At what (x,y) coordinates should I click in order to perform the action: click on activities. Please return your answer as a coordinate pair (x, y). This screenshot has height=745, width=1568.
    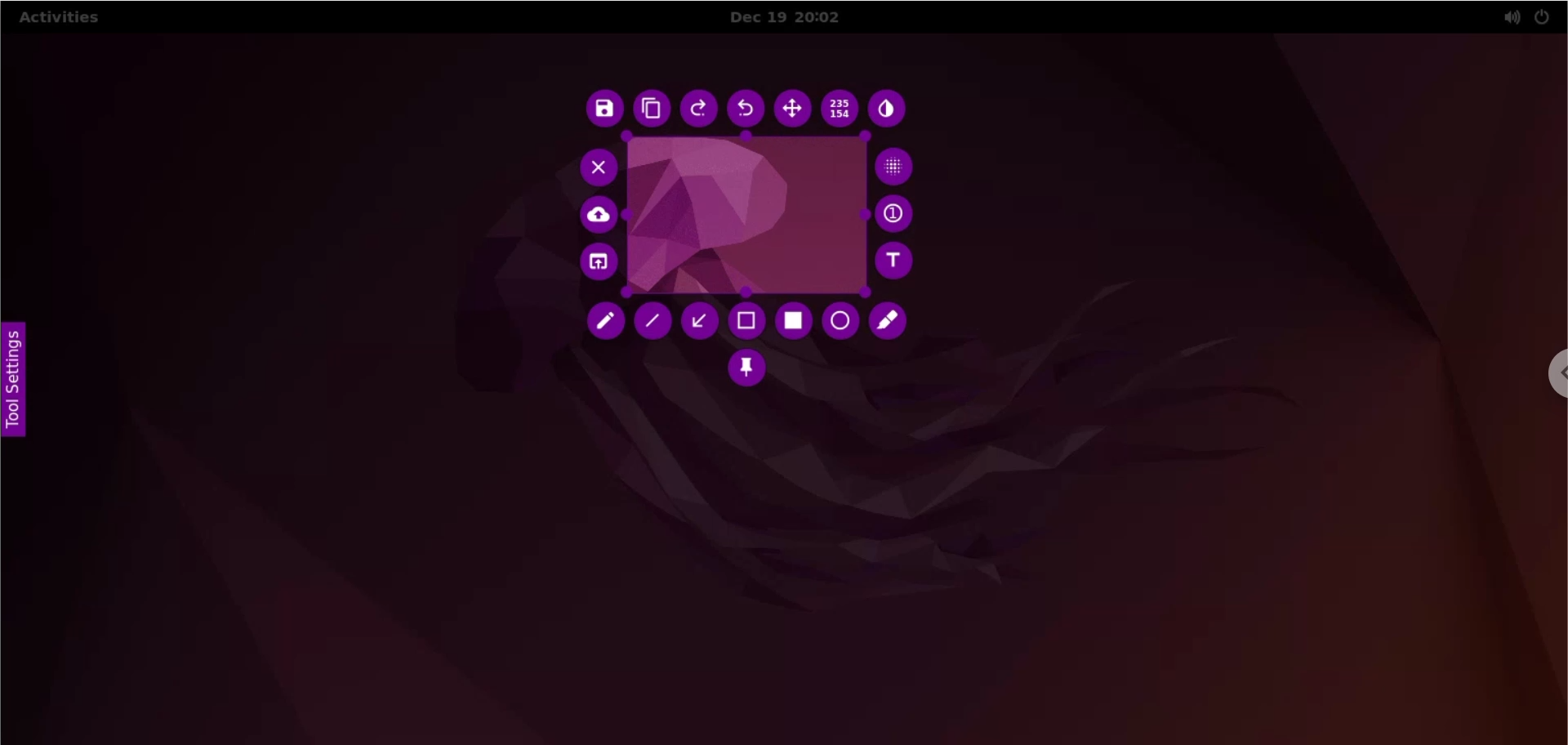
    Looking at the image, I should click on (60, 20).